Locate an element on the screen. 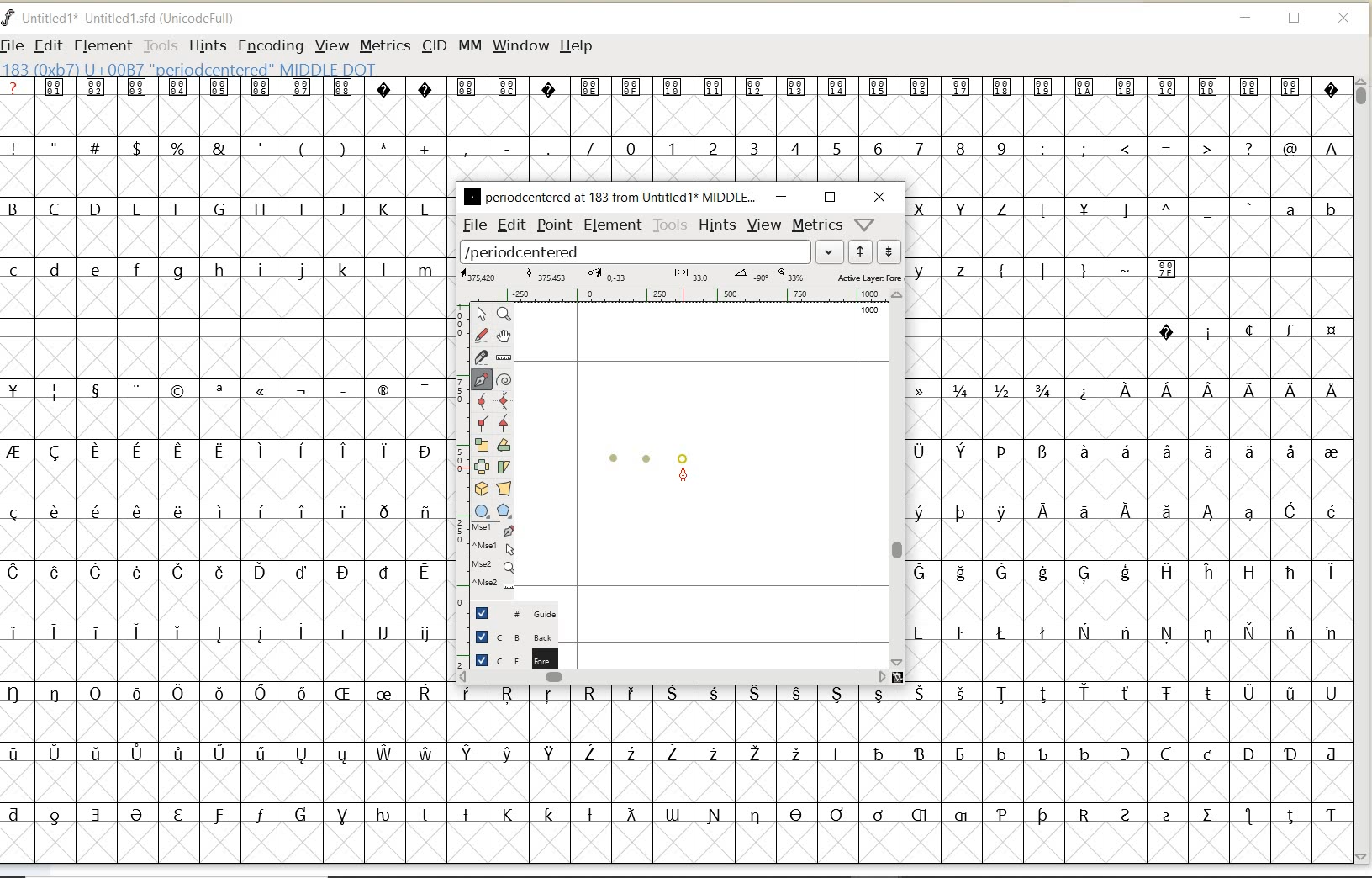 The height and width of the screenshot is (878, 1372). pointer is located at coordinates (481, 315).